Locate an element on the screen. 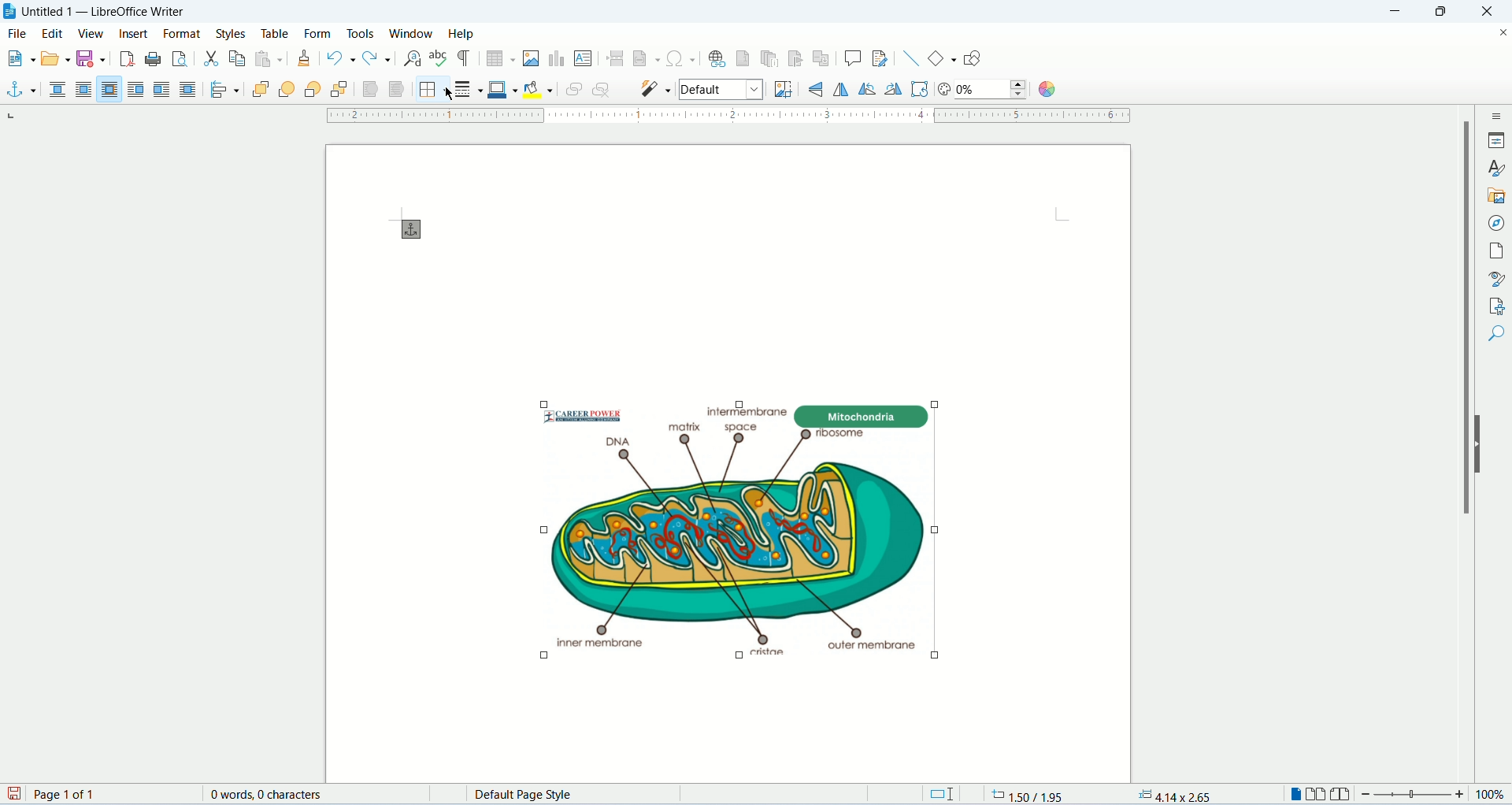 The image size is (1512, 805). Dimension is located at coordinates (940, 794).